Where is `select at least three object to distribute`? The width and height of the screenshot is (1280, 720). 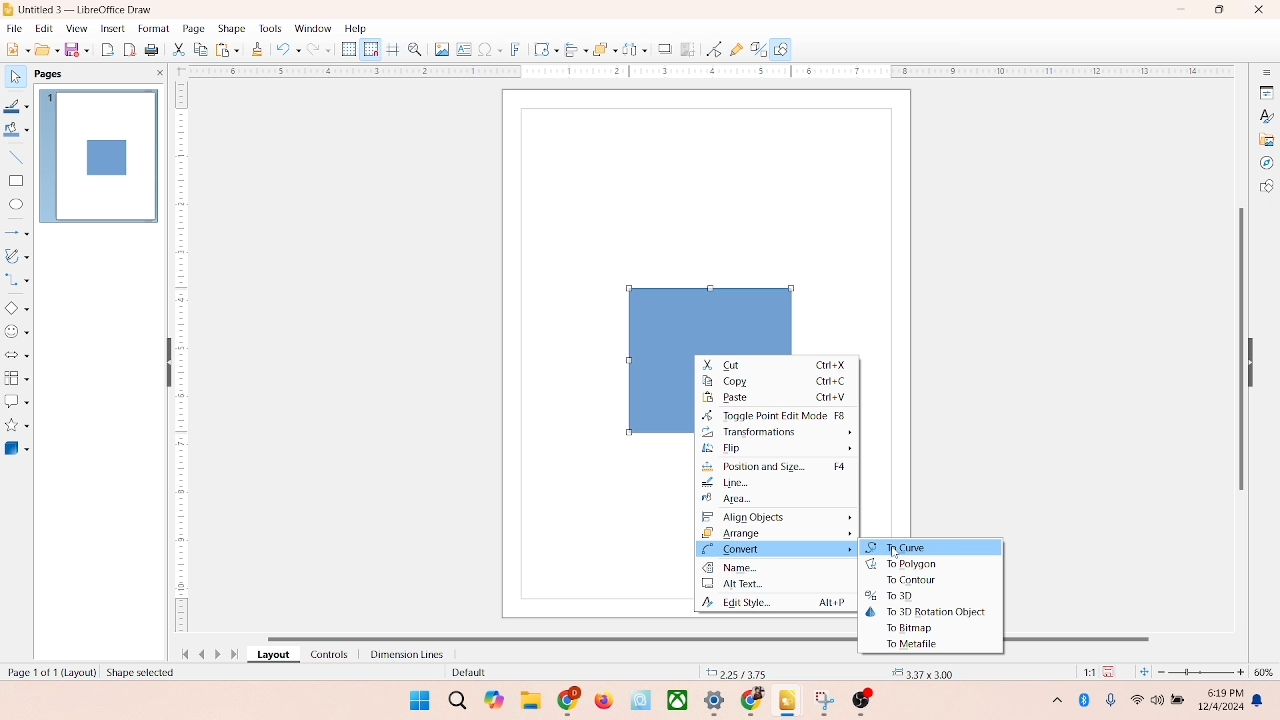
select at least three object to distribute is located at coordinates (630, 50).